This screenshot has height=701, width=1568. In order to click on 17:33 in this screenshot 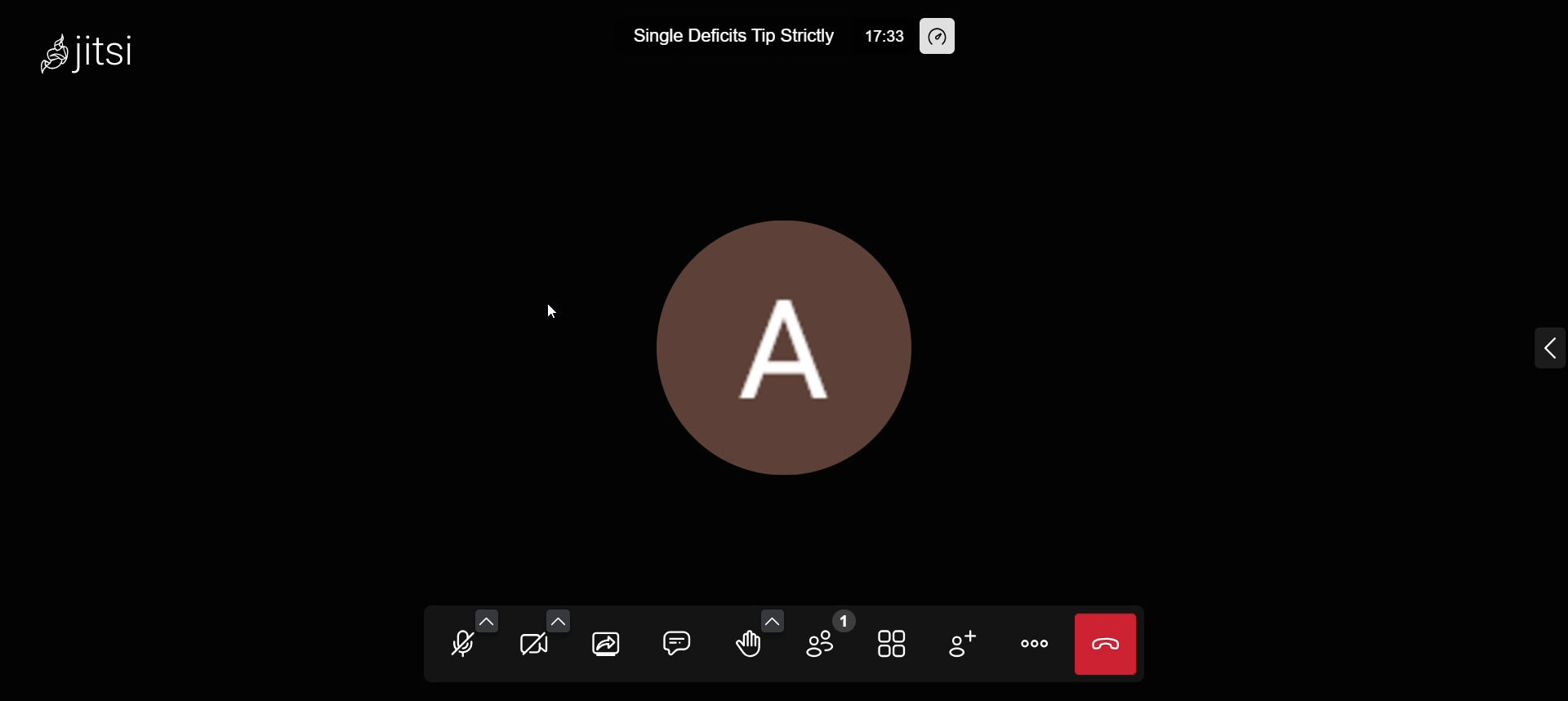, I will do `click(873, 36)`.